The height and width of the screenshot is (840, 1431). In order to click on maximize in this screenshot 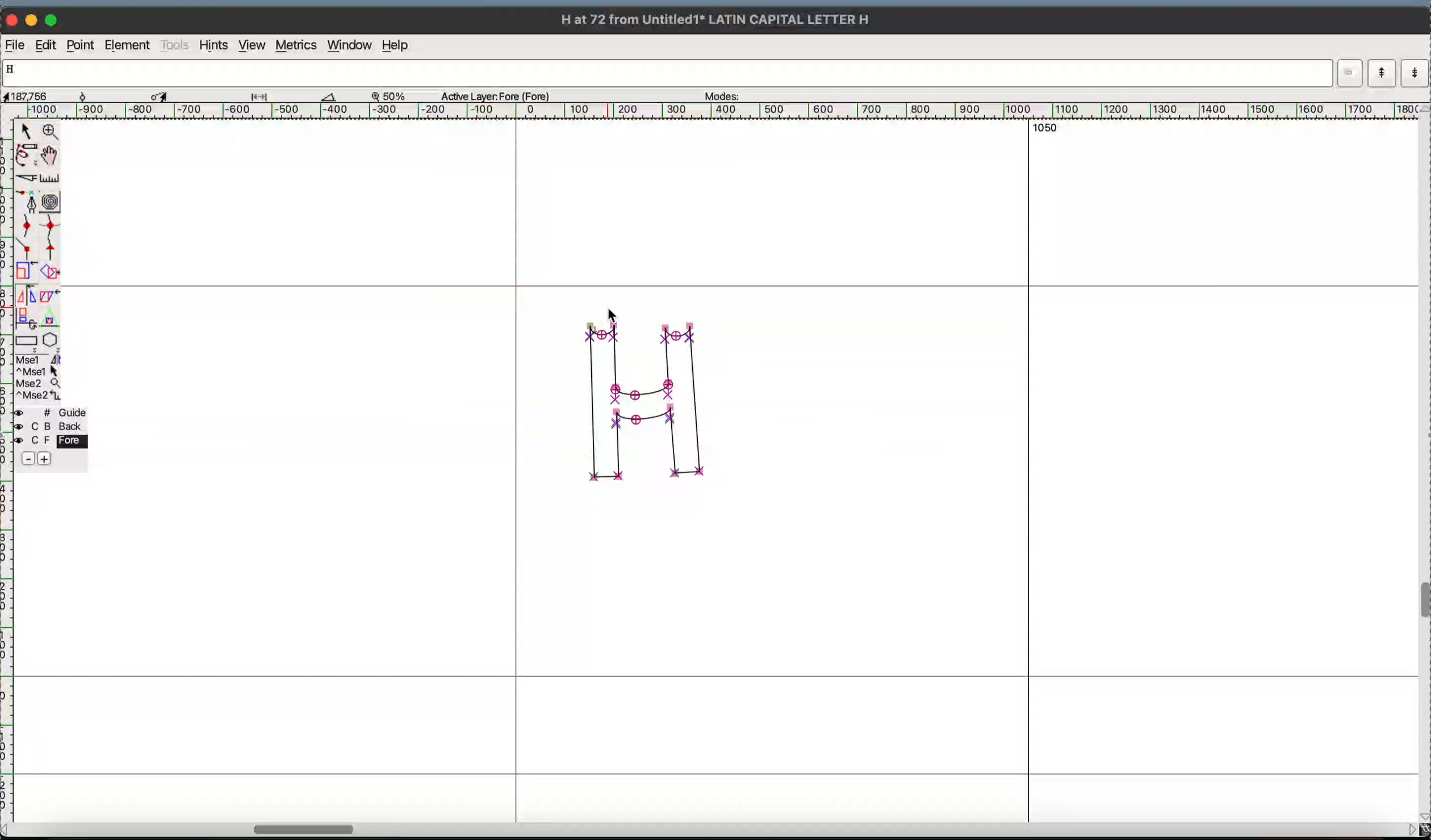, I will do `click(54, 20)`.